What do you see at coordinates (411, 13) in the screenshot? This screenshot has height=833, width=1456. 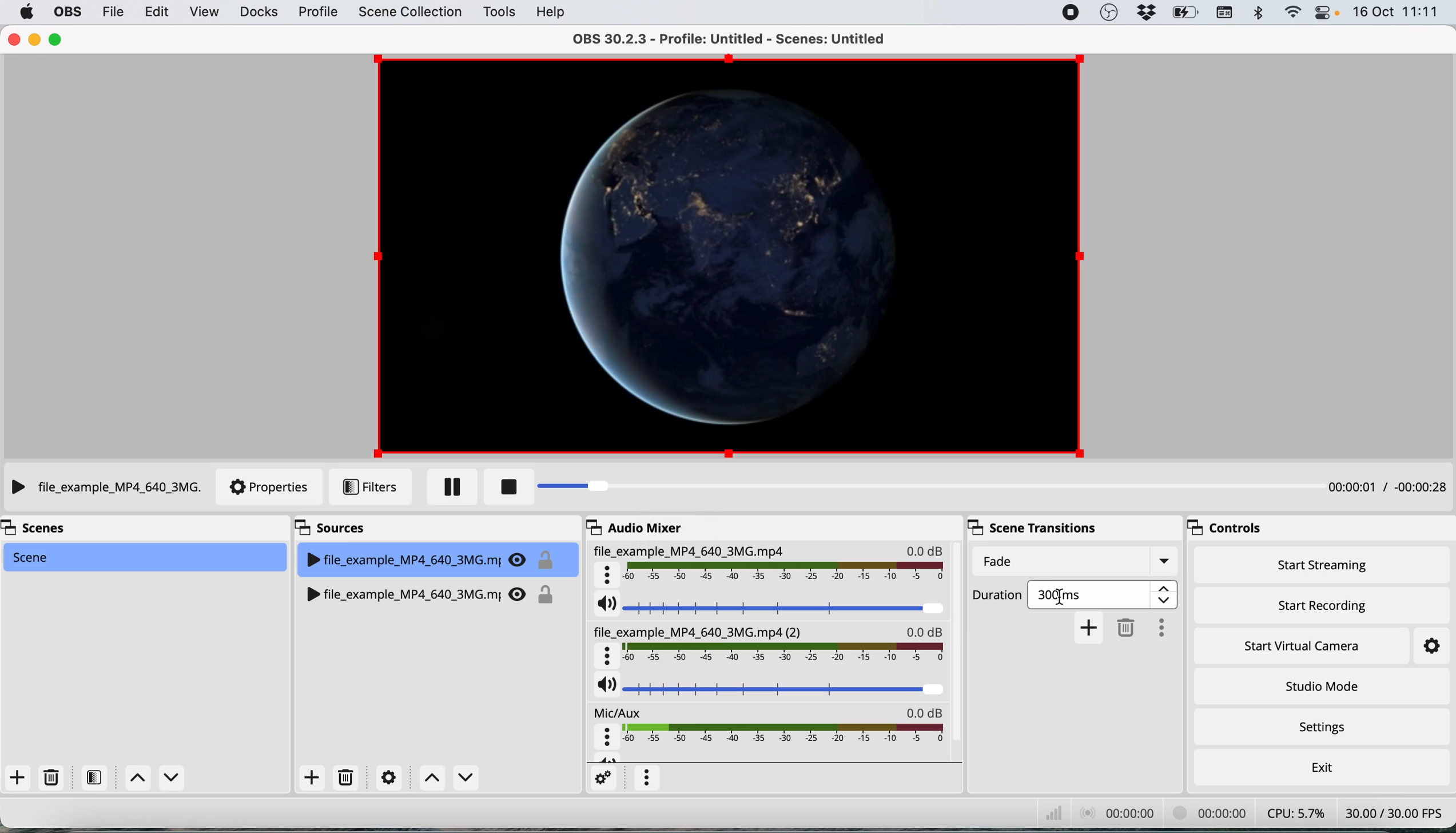 I see `scene collection` at bounding box center [411, 13].